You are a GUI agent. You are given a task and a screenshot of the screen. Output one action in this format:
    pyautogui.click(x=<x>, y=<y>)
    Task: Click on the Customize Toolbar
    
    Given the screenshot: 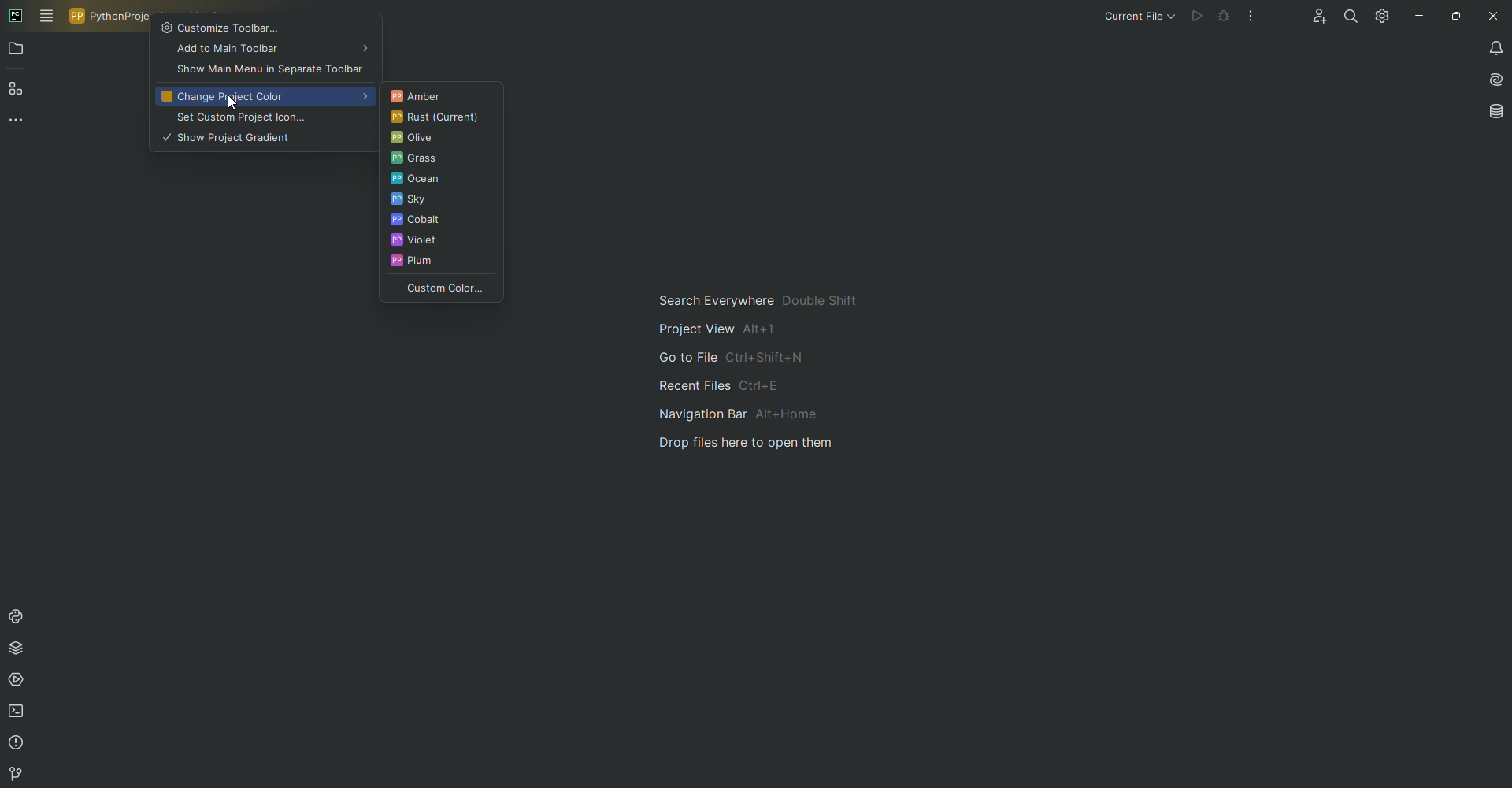 What is the action you would take?
    pyautogui.click(x=265, y=27)
    